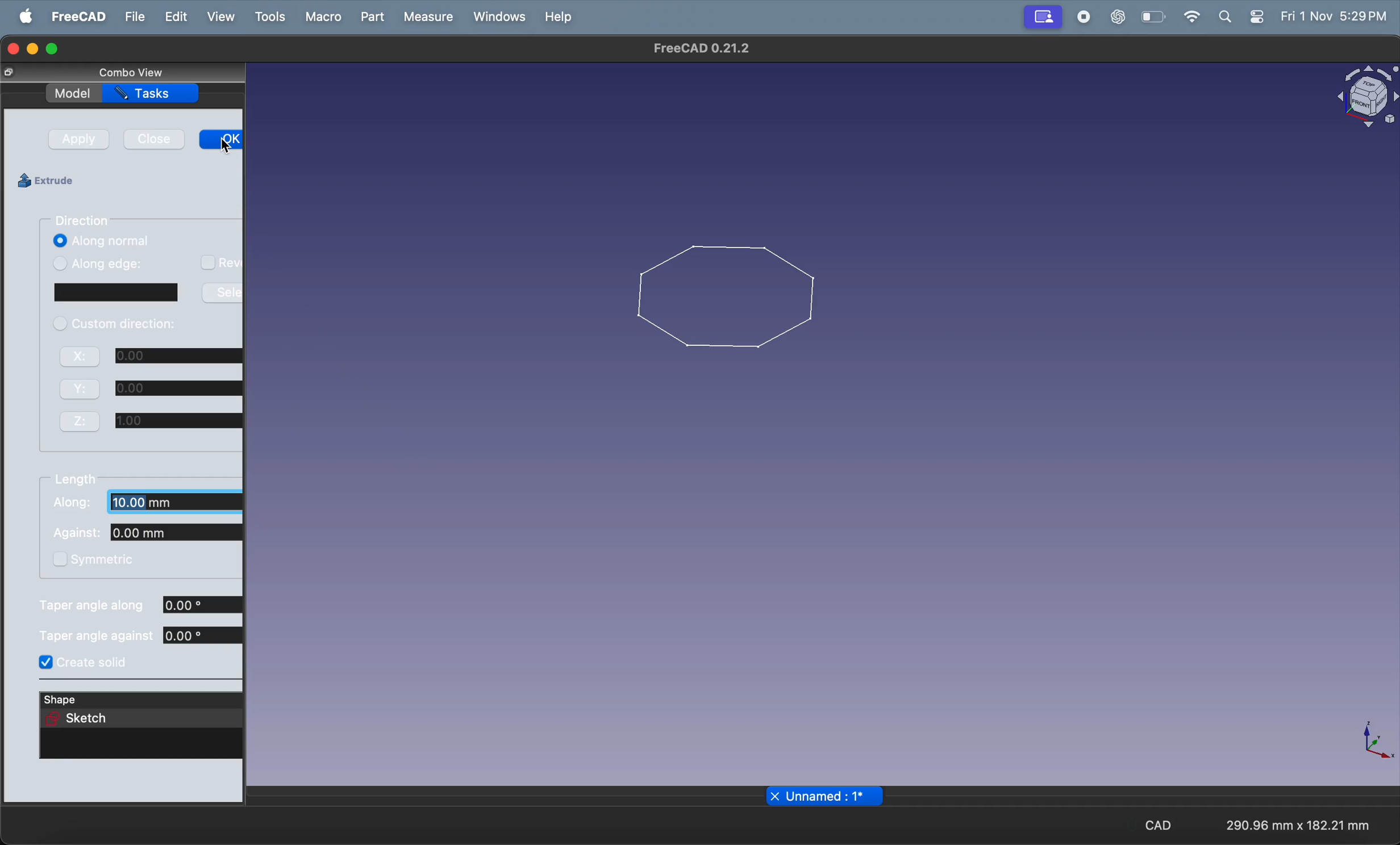 The height and width of the screenshot is (845, 1400). What do you see at coordinates (85, 220) in the screenshot?
I see `direction` at bounding box center [85, 220].